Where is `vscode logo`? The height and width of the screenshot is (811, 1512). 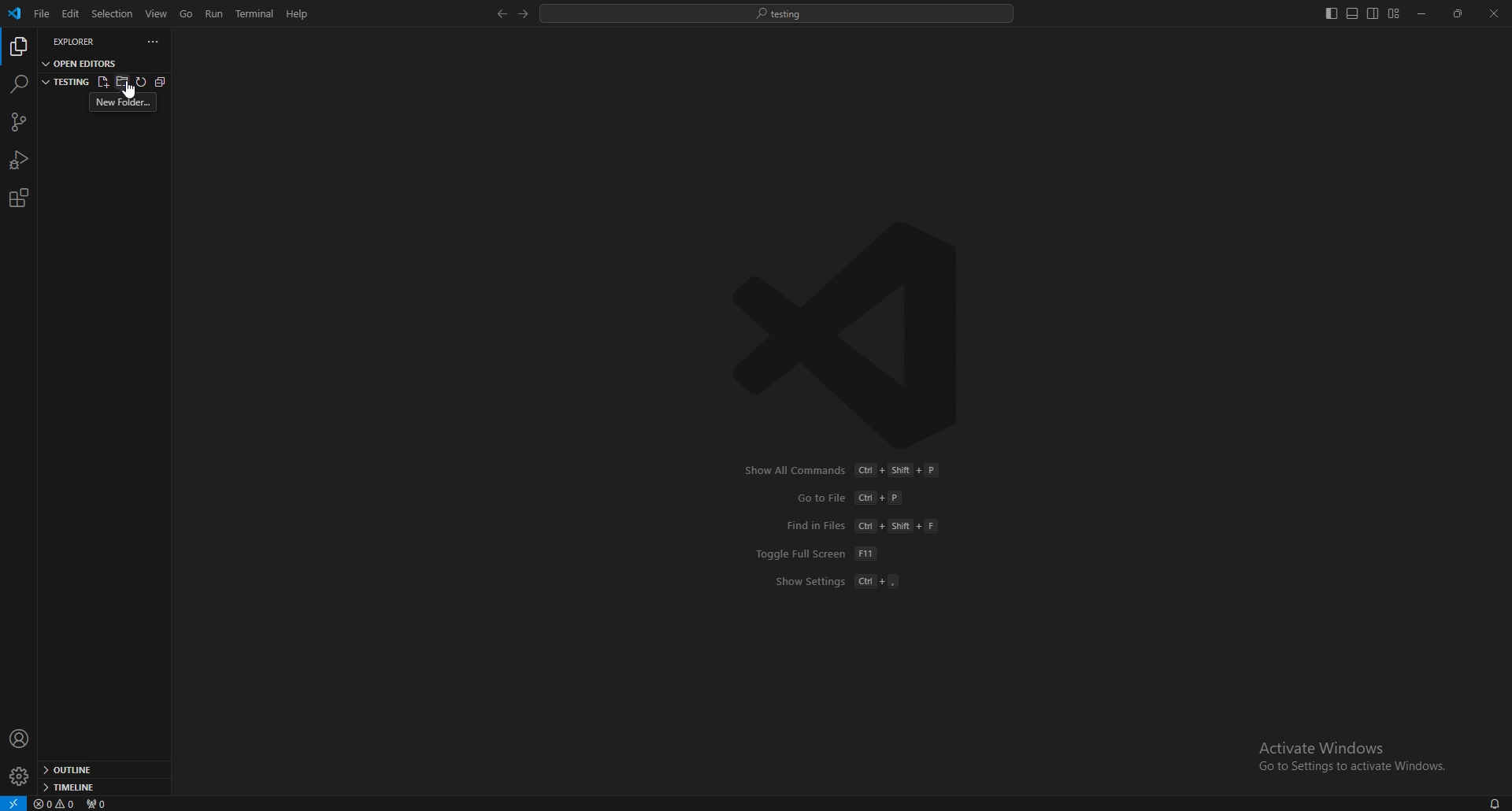 vscode logo is located at coordinates (855, 335).